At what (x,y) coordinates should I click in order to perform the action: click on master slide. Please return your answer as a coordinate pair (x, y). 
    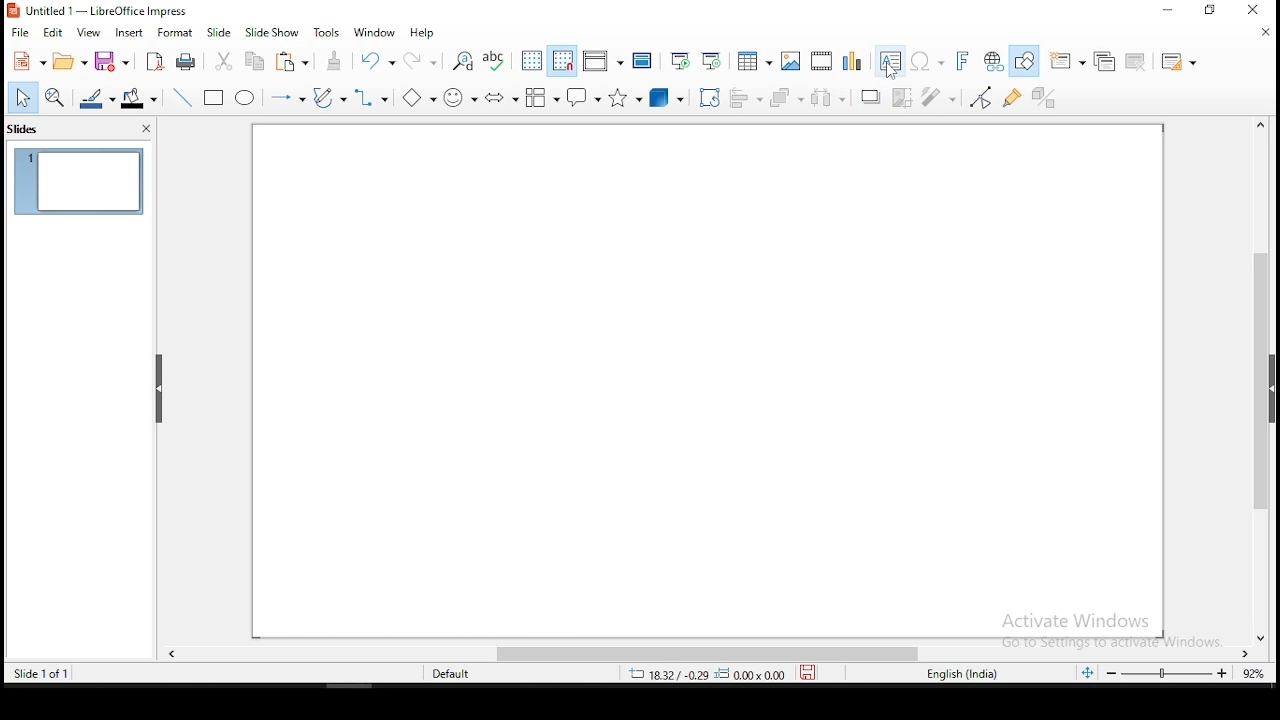
    Looking at the image, I should click on (643, 59).